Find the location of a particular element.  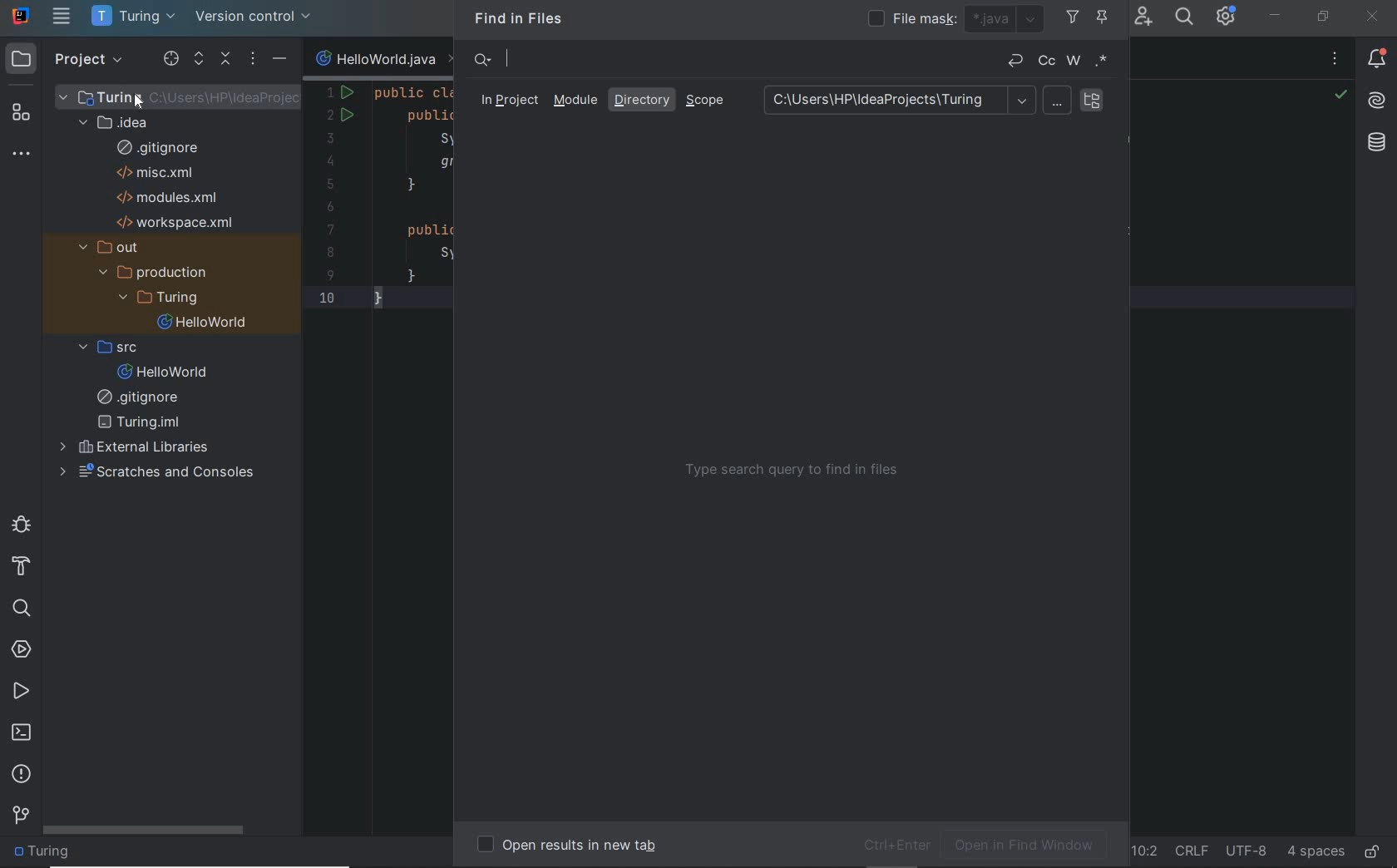

project is located at coordinates (67, 60).